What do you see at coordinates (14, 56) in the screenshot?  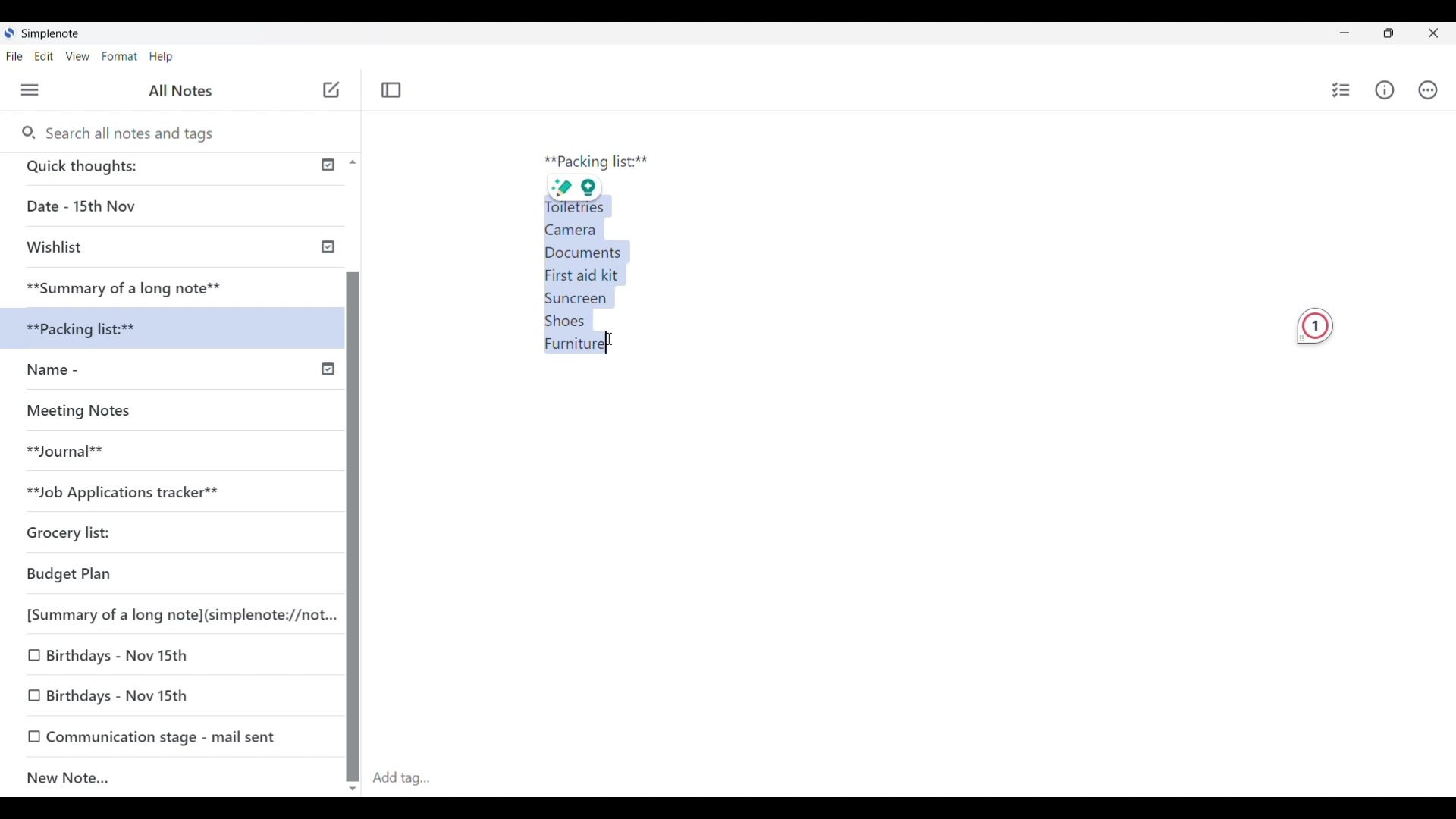 I see `File menu` at bounding box center [14, 56].